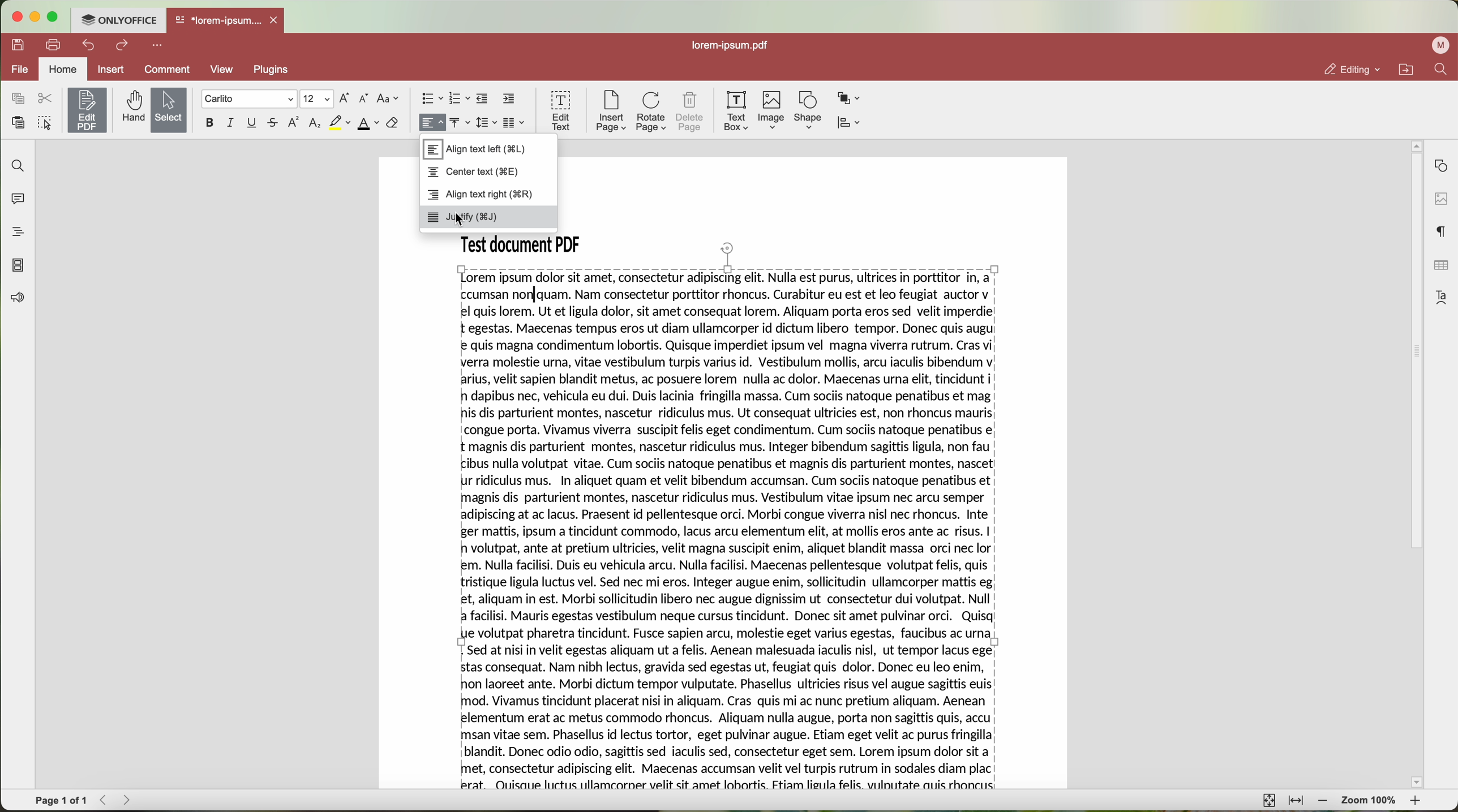  I want to click on fit to width, so click(1297, 801).